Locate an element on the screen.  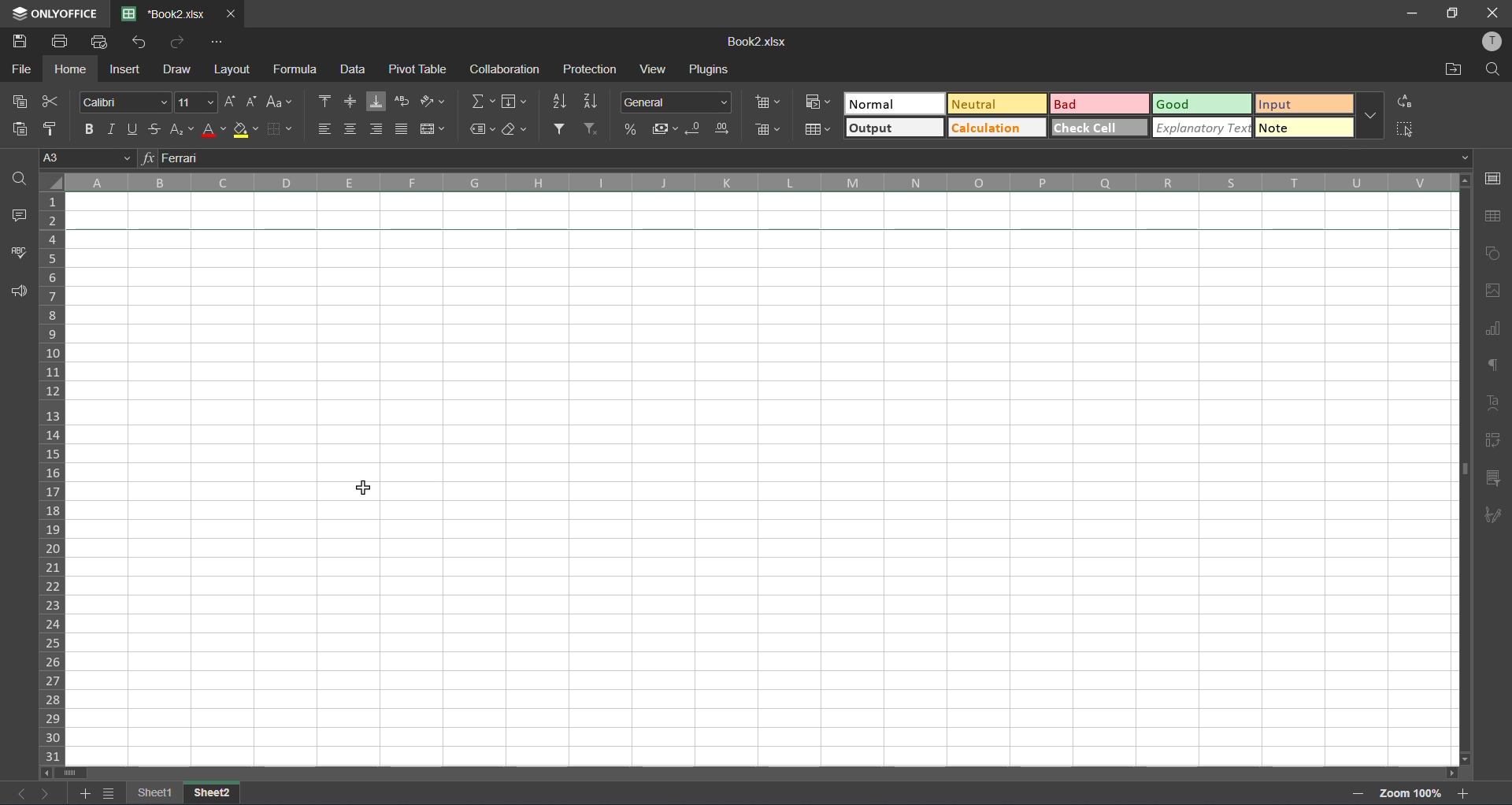
wrap text is located at coordinates (405, 103).